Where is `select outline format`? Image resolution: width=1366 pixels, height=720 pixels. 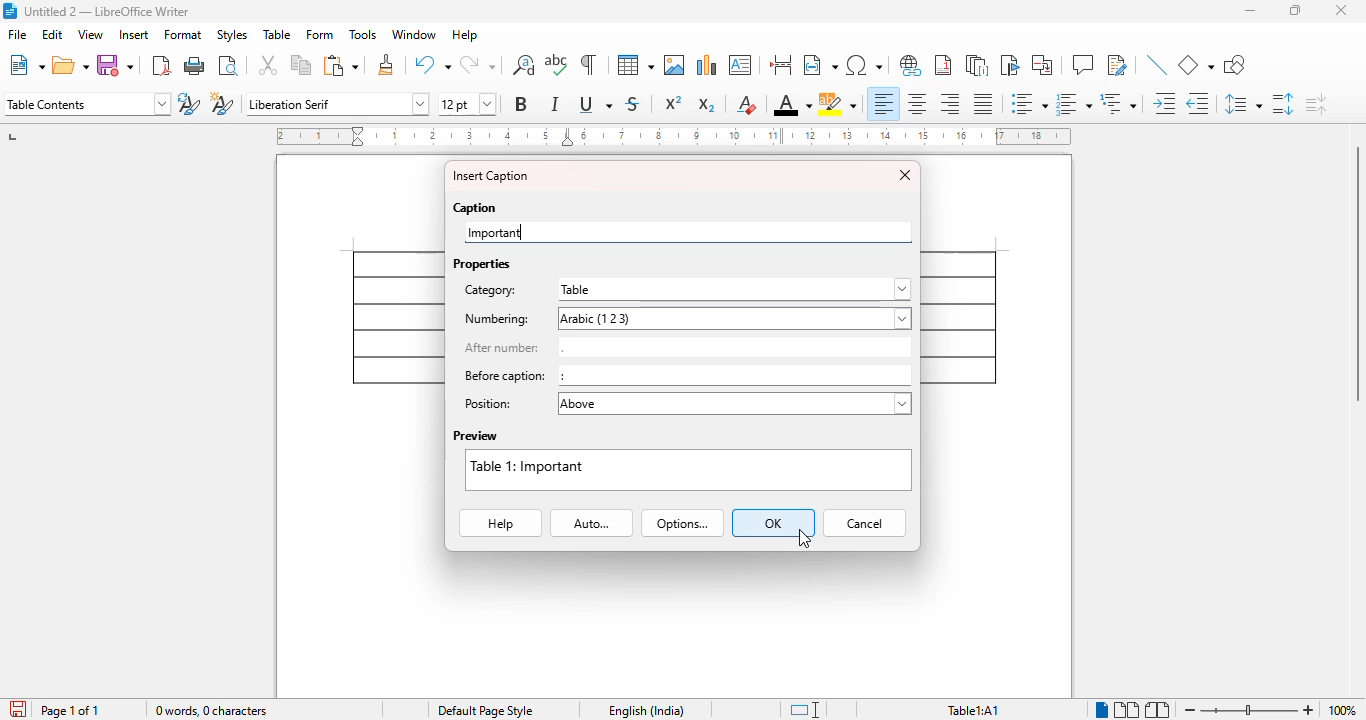
select outline format is located at coordinates (1118, 103).